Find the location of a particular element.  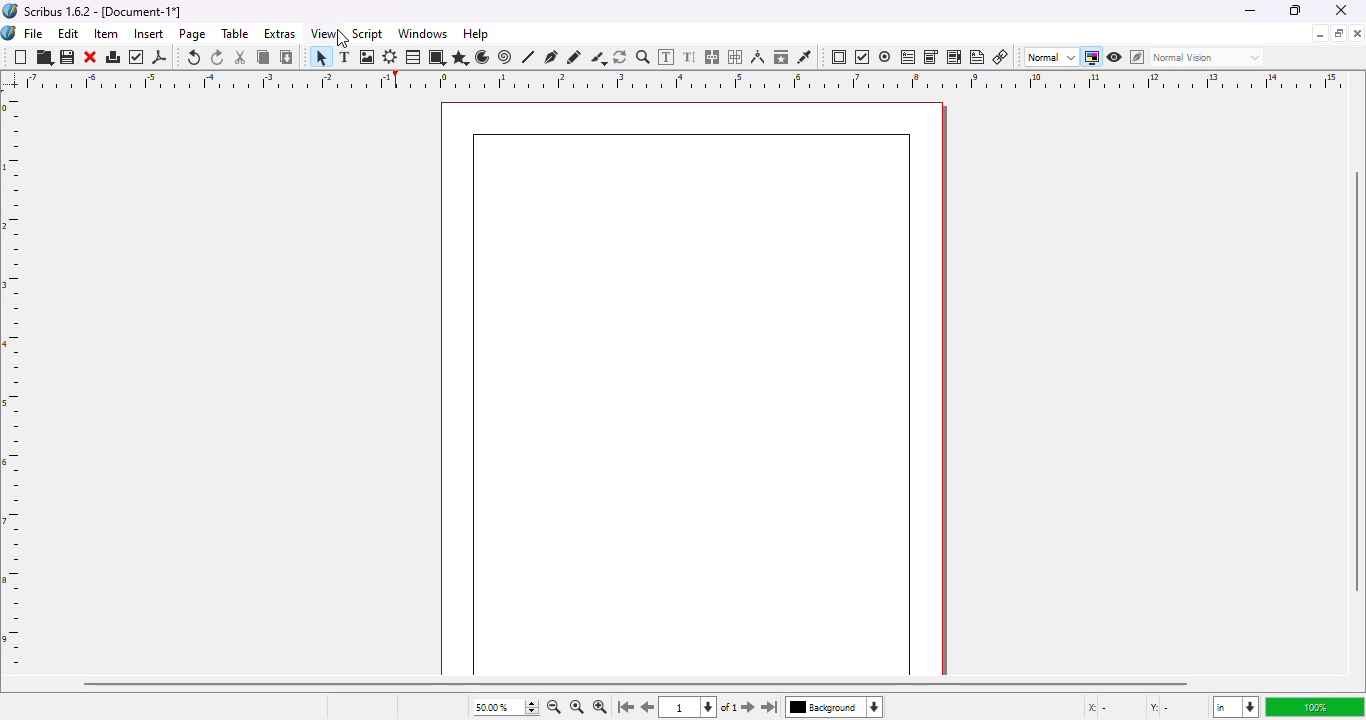

zoom in or out is located at coordinates (643, 57).